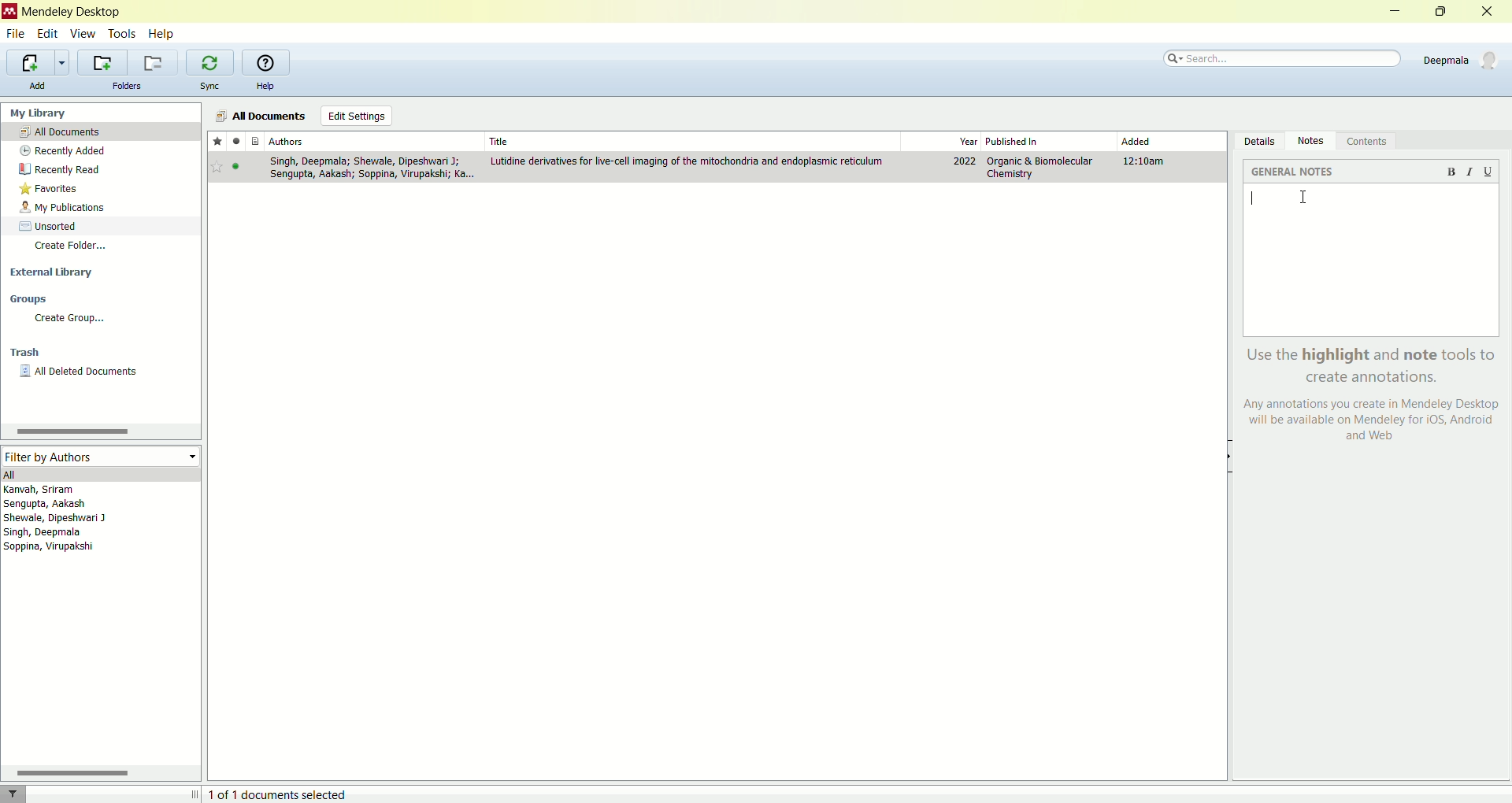 The height and width of the screenshot is (803, 1512). I want to click on Input text, so click(1247, 202).